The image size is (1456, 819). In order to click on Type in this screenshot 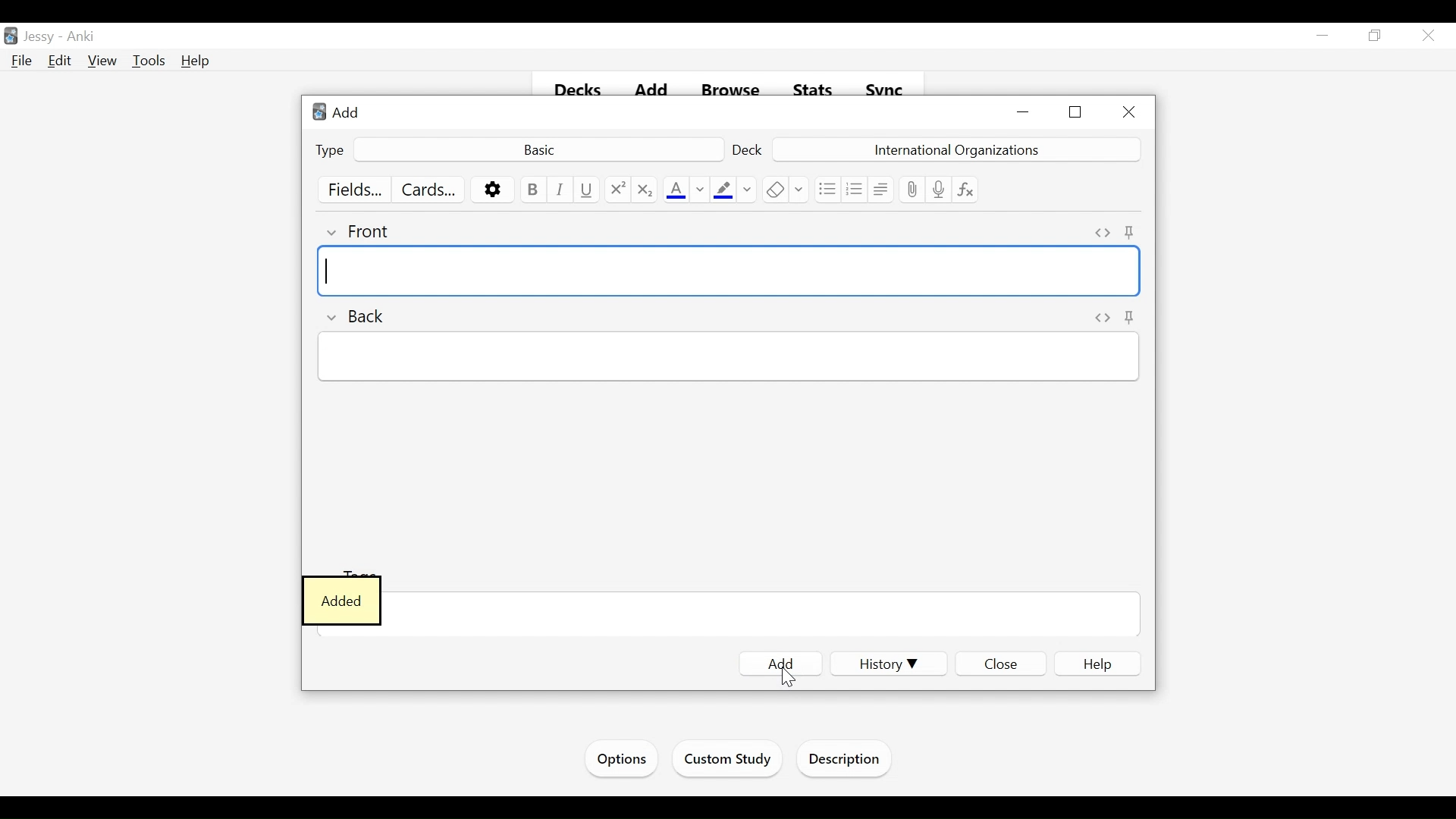, I will do `click(328, 150)`.